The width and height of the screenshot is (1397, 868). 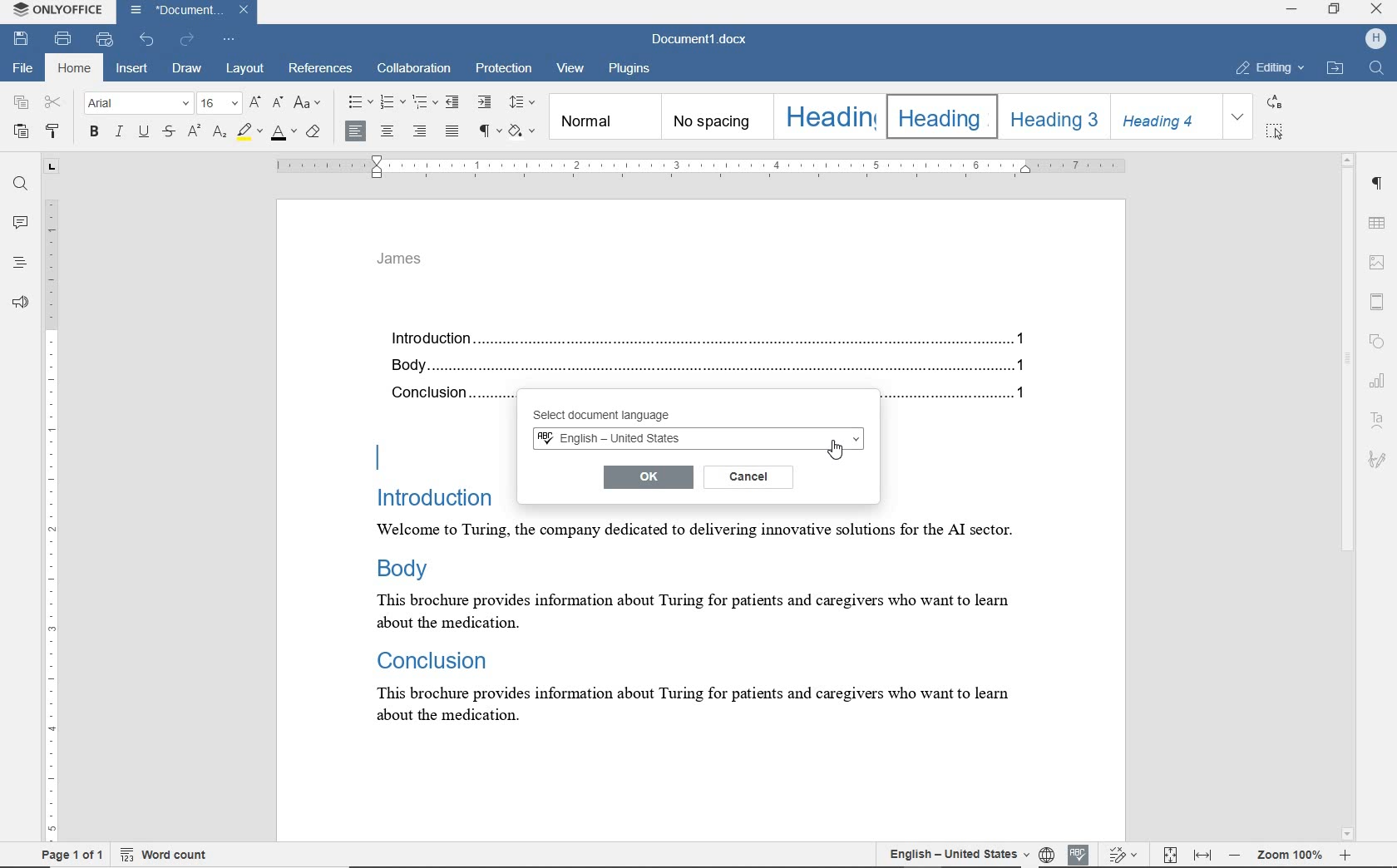 I want to click on james, so click(x=400, y=259).